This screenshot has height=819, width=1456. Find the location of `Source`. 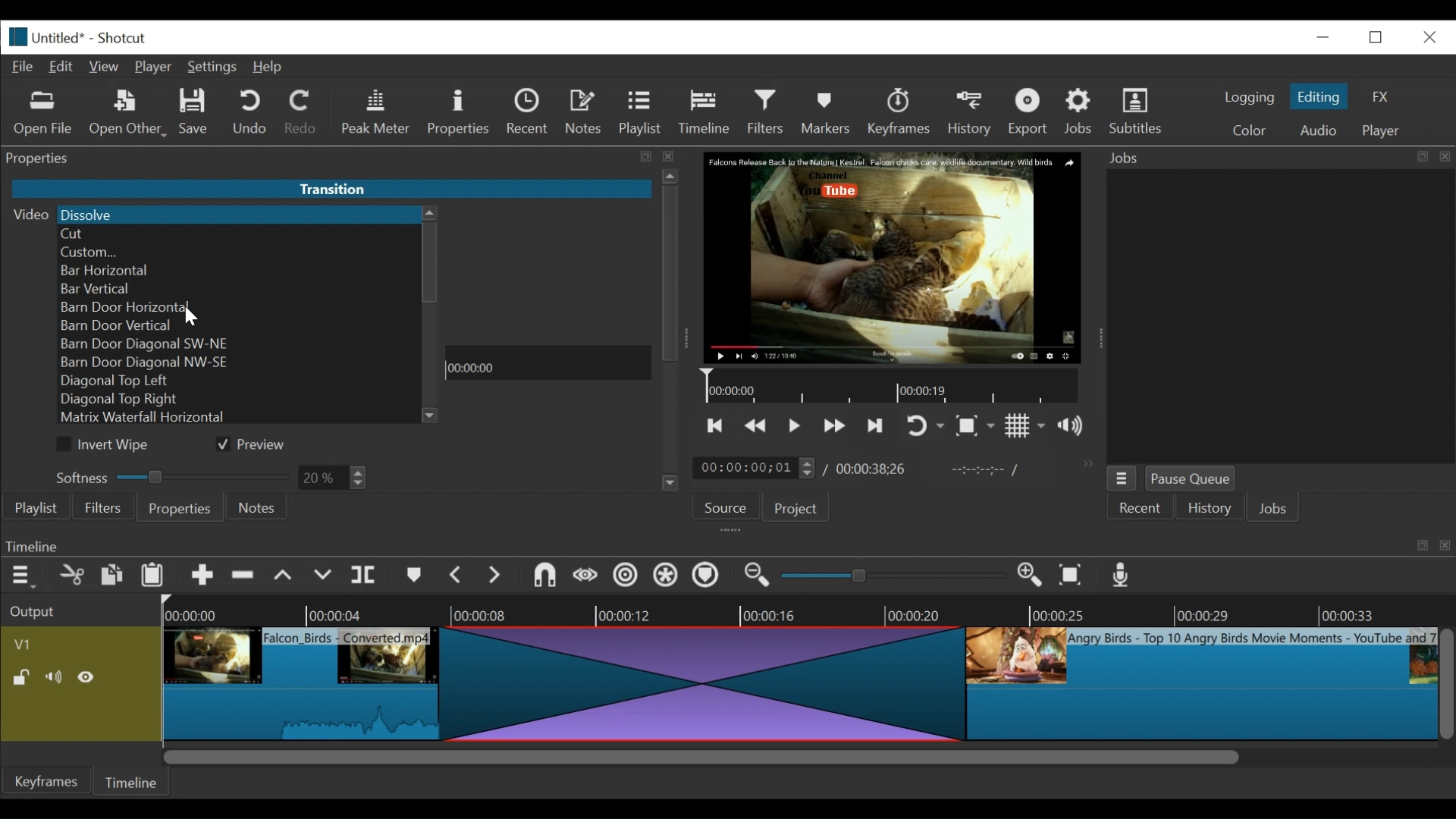

Source is located at coordinates (720, 510).